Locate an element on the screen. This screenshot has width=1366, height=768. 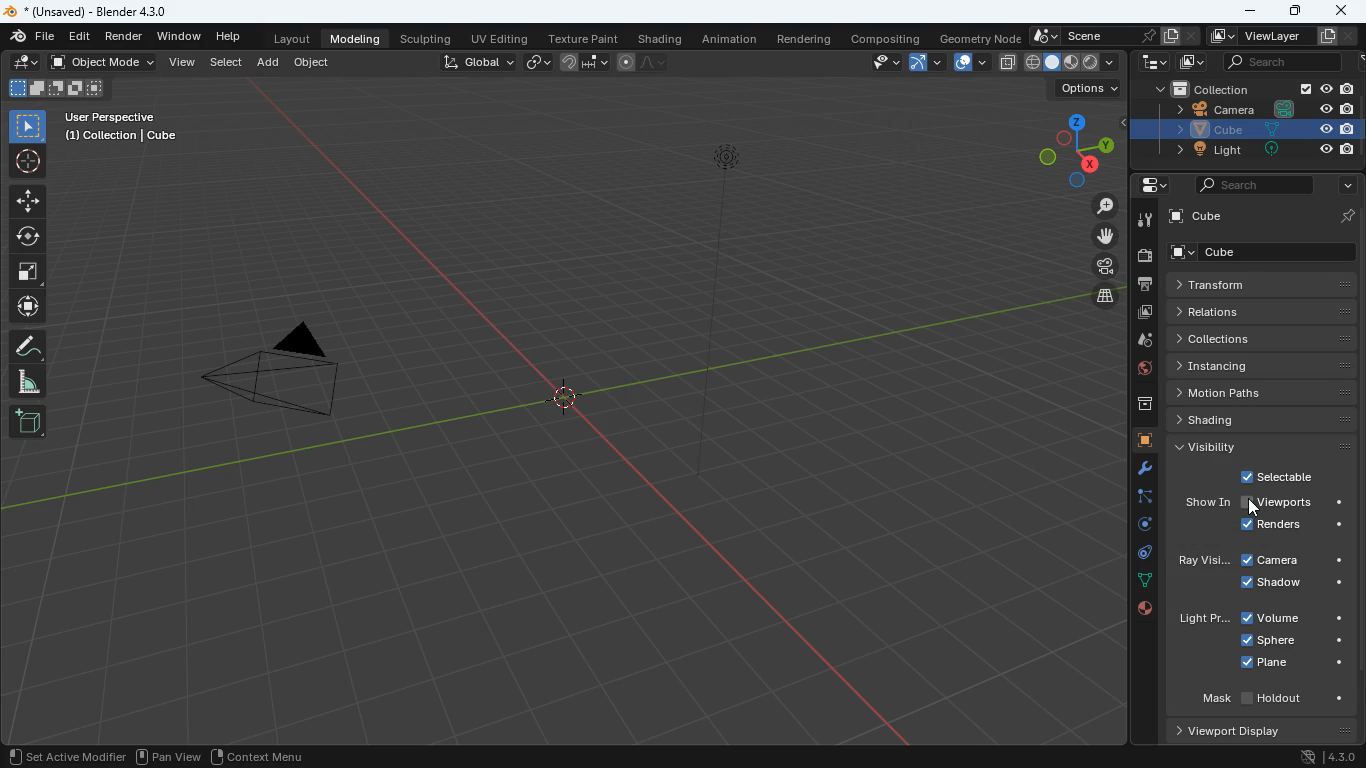
twist is located at coordinates (28, 238).